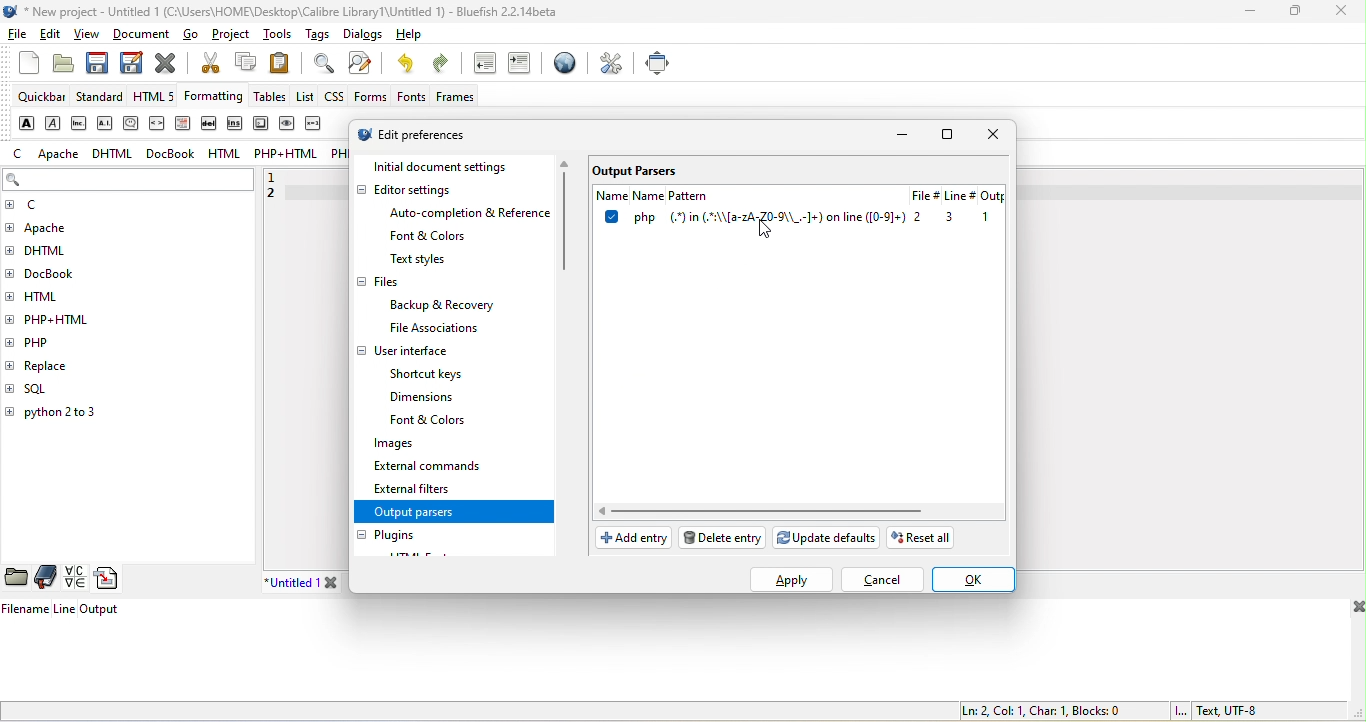 Image resolution: width=1366 pixels, height=722 pixels. Describe the element at coordinates (222, 153) in the screenshot. I see `html` at that location.